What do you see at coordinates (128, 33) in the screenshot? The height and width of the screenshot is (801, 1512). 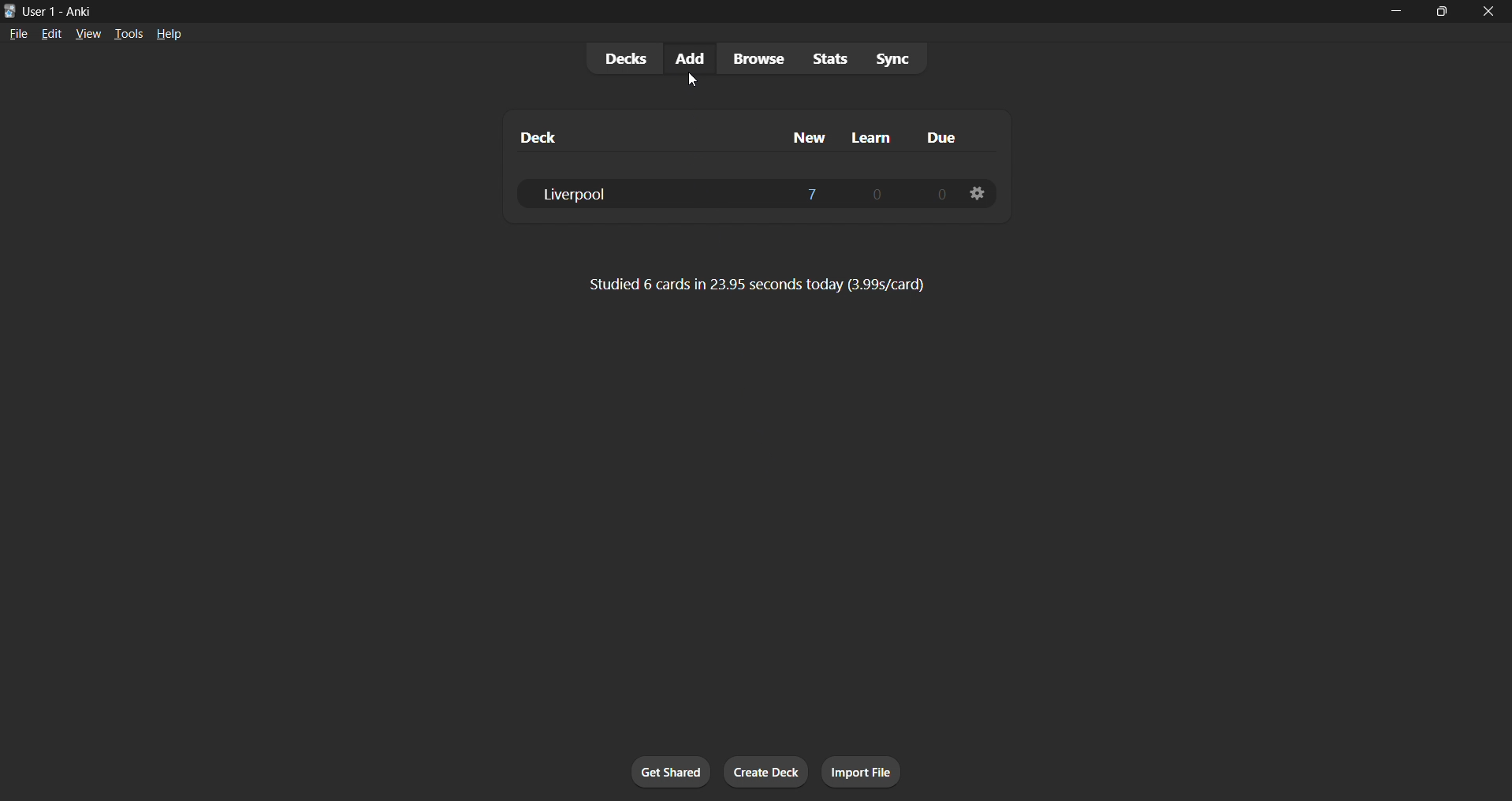 I see `tools` at bounding box center [128, 33].